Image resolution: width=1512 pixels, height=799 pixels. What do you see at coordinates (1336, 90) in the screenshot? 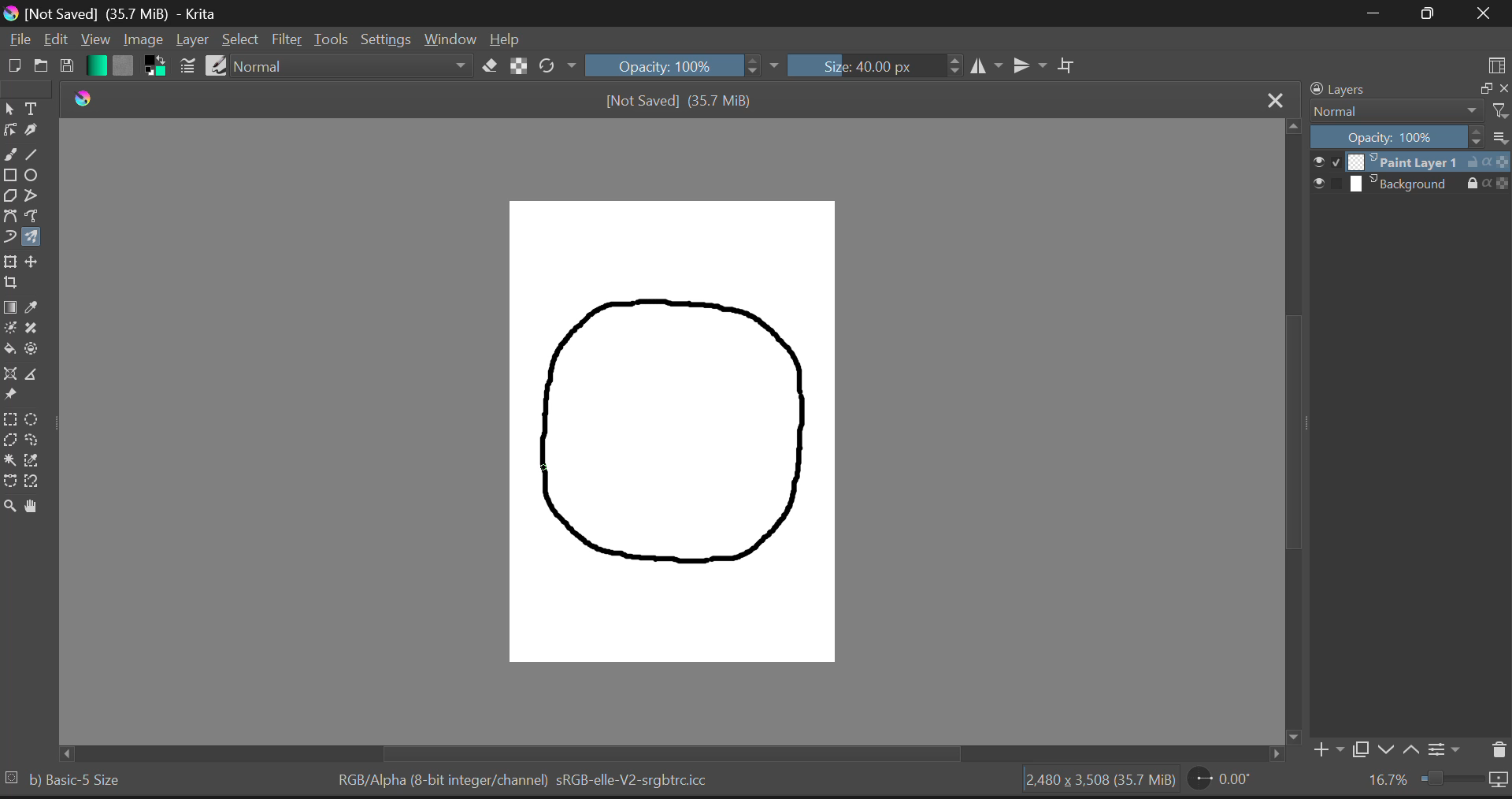
I see `Layers Docker Tab` at bounding box center [1336, 90].